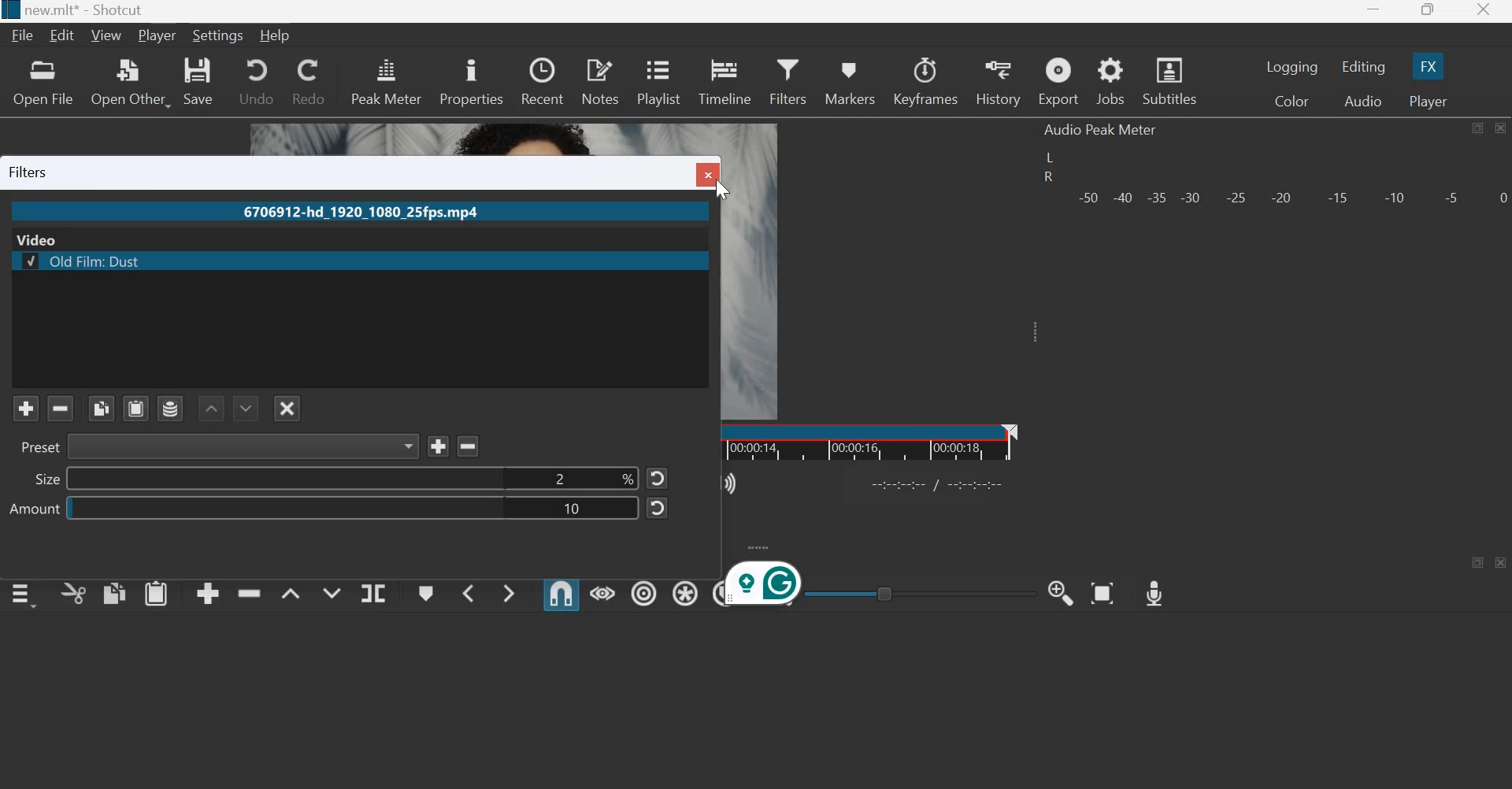  Describe the element at coordinates (1047, 179) in the screenshot. I see `R` at that location.